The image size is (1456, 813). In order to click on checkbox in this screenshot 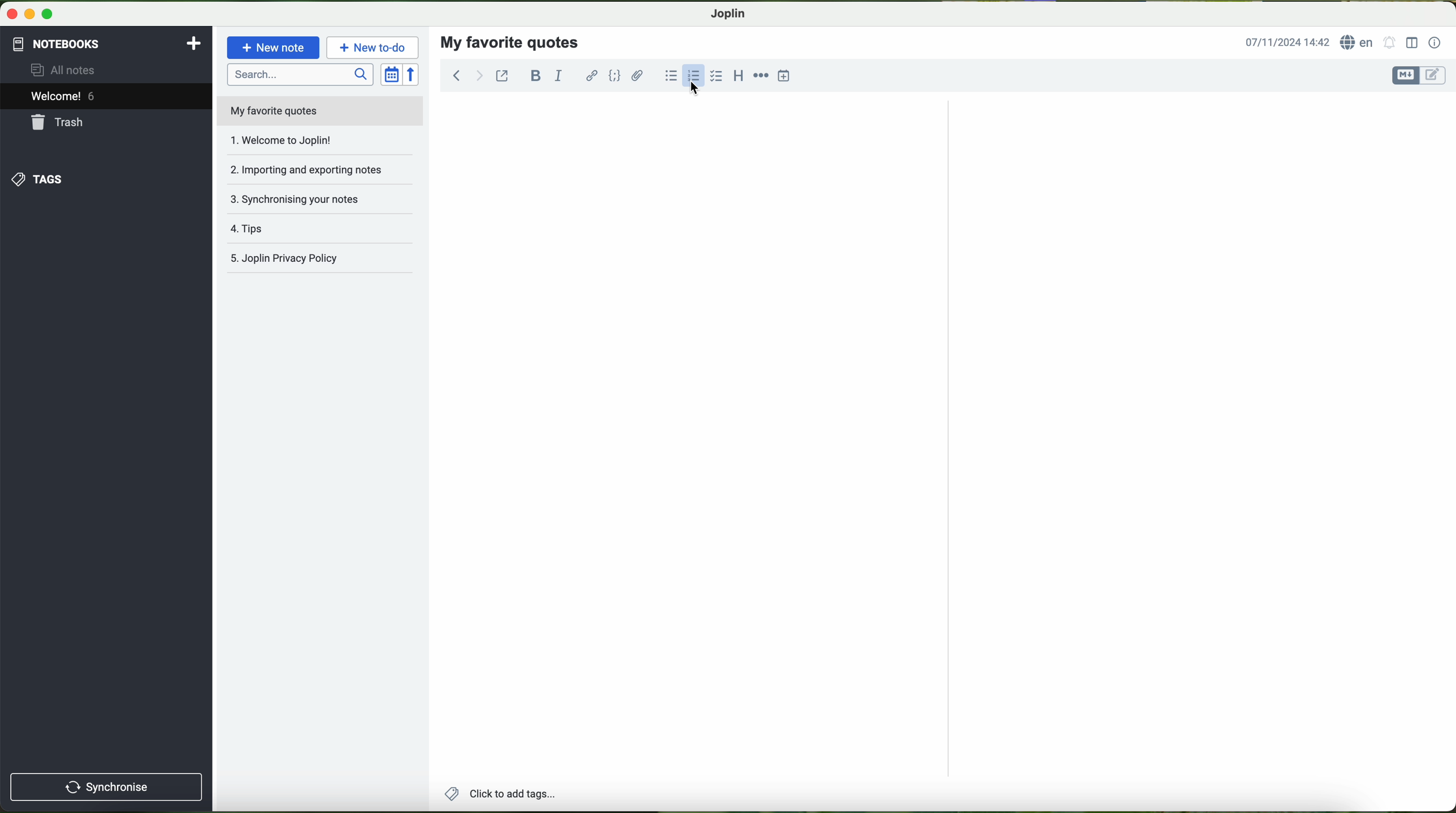, I will do `click(716, 77)`.